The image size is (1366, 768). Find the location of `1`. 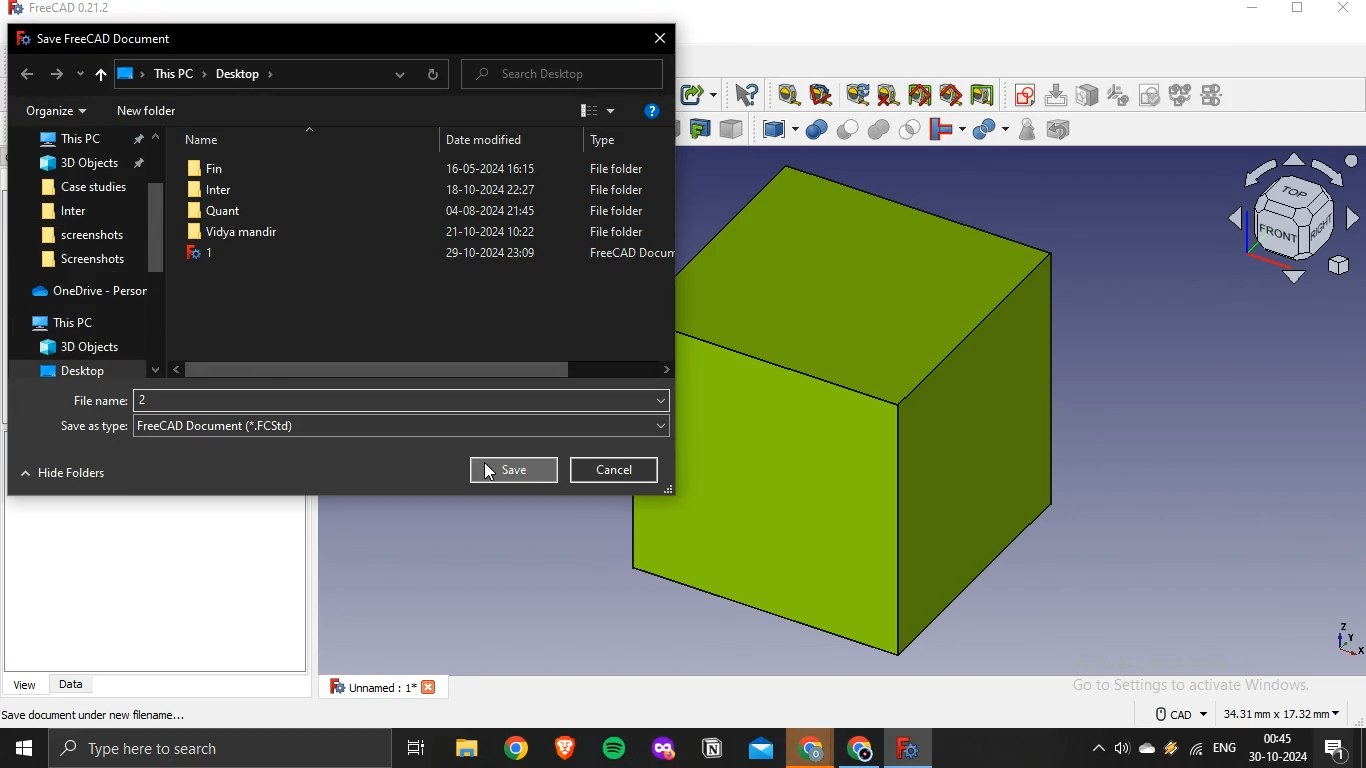

1 is located at coordinates (423, 253).